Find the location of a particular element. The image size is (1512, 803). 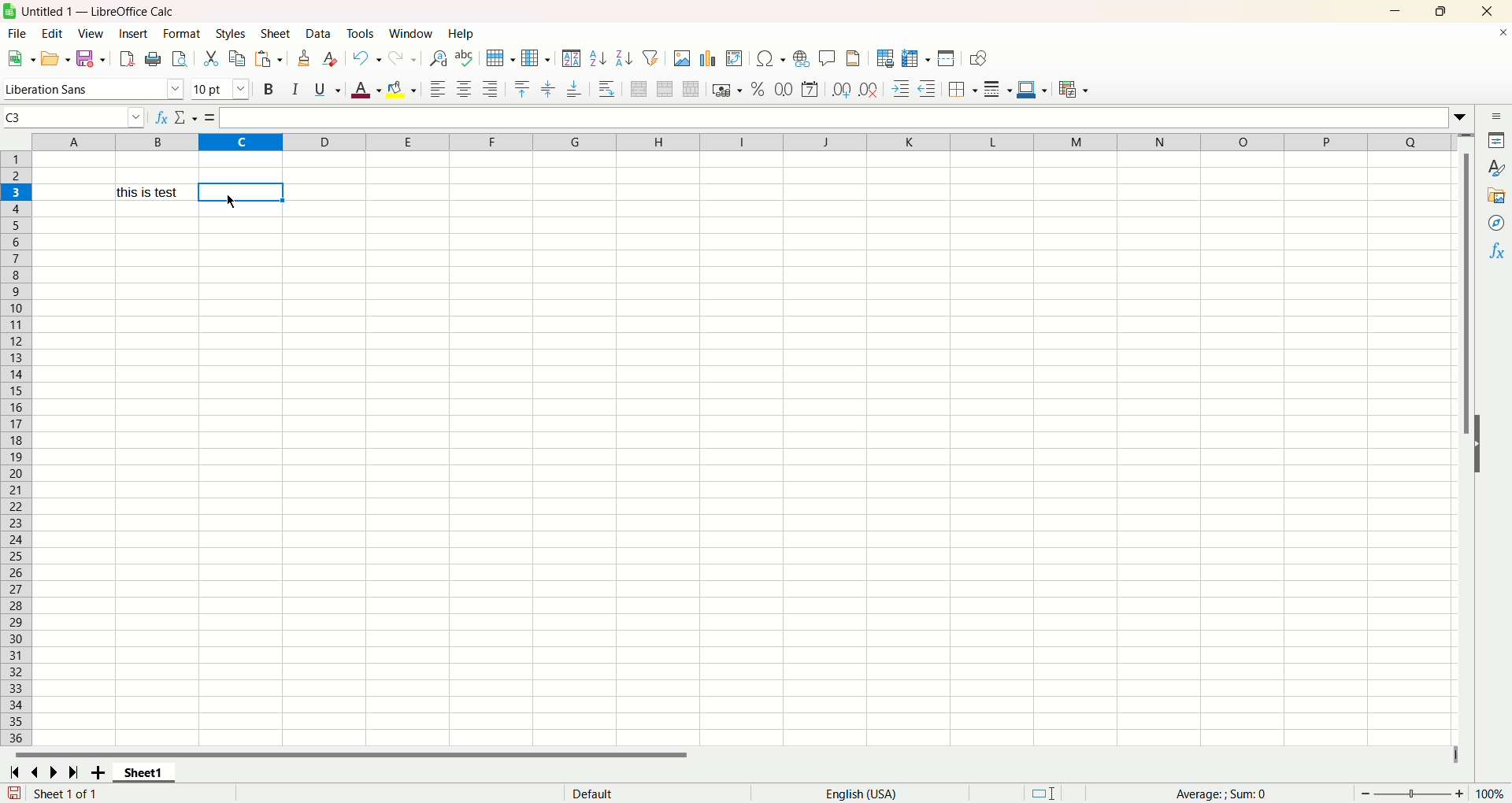

increase indent is located at coordinates (902, 88).